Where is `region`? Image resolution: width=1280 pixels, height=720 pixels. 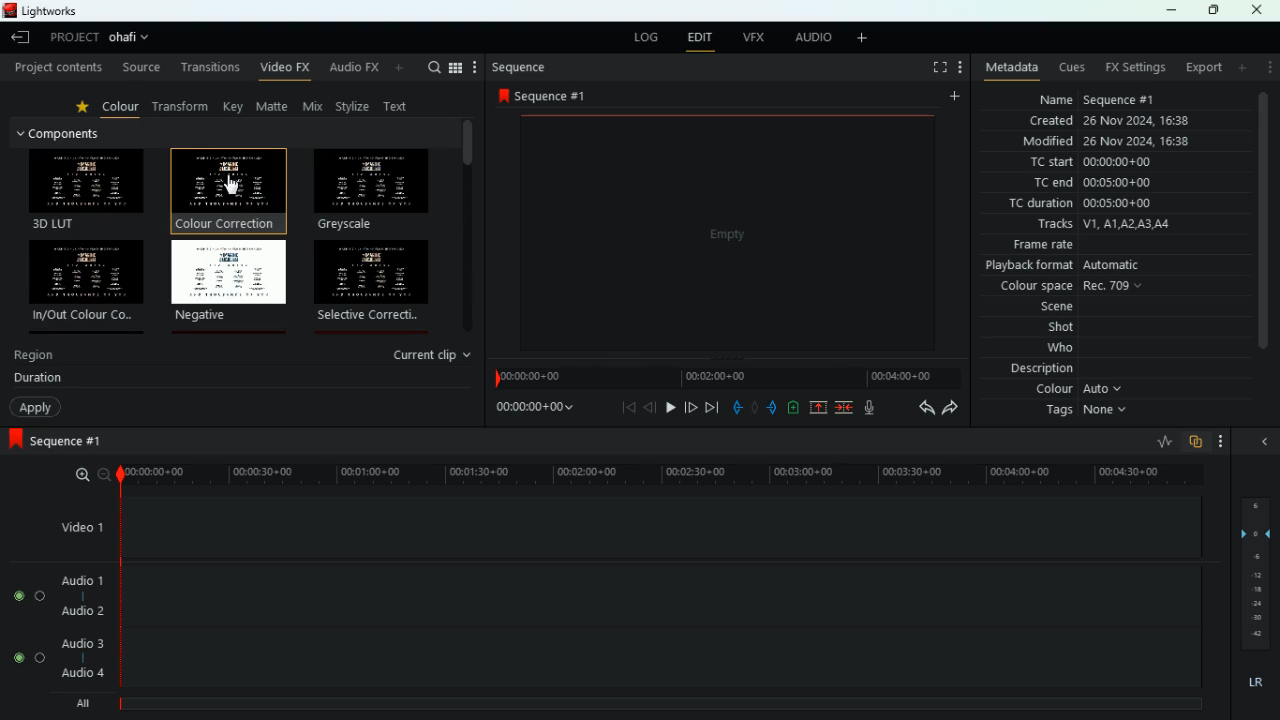
region is located at coordinates (36, 358).